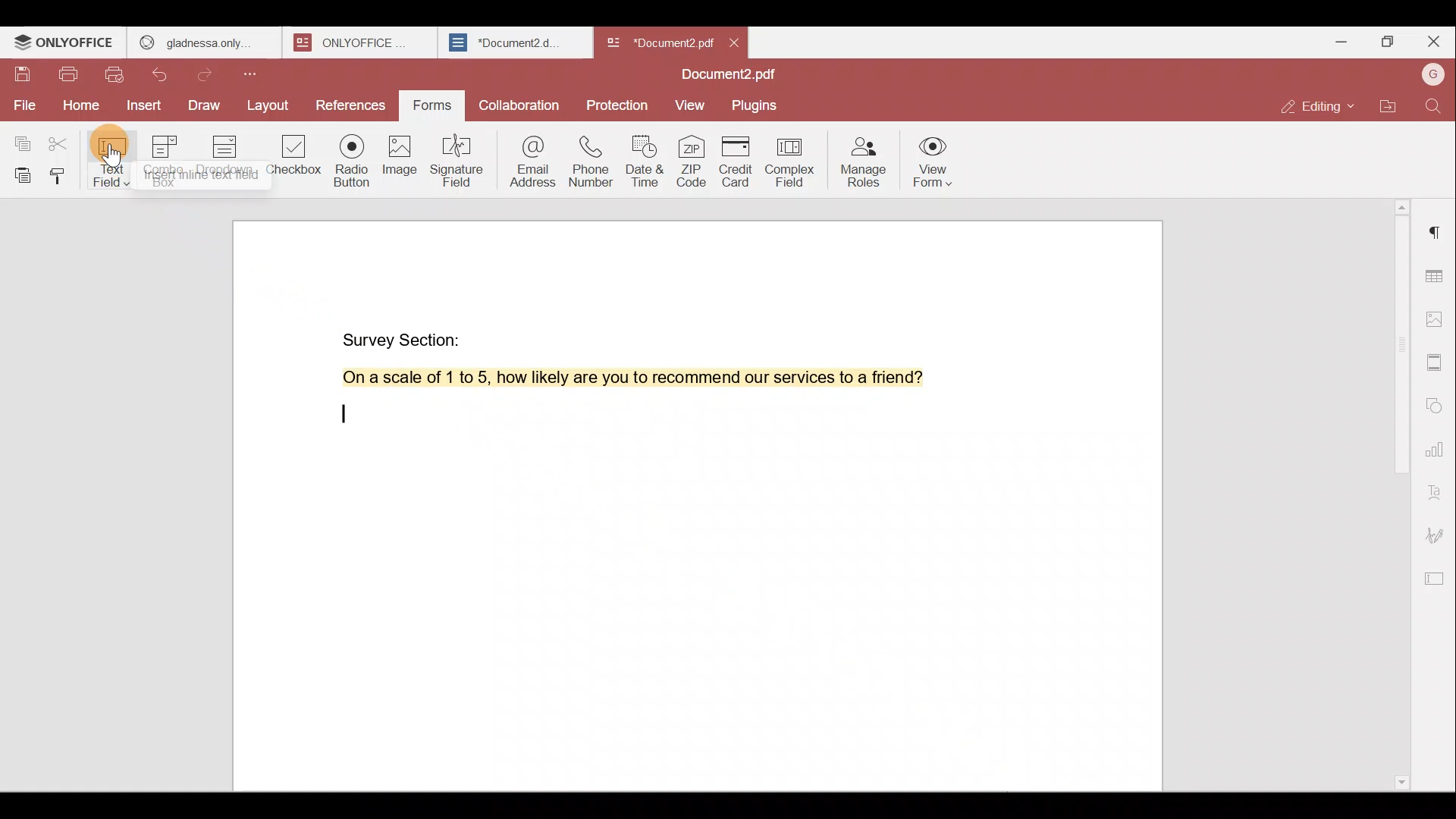 The image size is (1456, 819). What do you see at coordinates (1436, 272) in the screenshot?
I see `Table settings` at bounding box center [1436, 272].